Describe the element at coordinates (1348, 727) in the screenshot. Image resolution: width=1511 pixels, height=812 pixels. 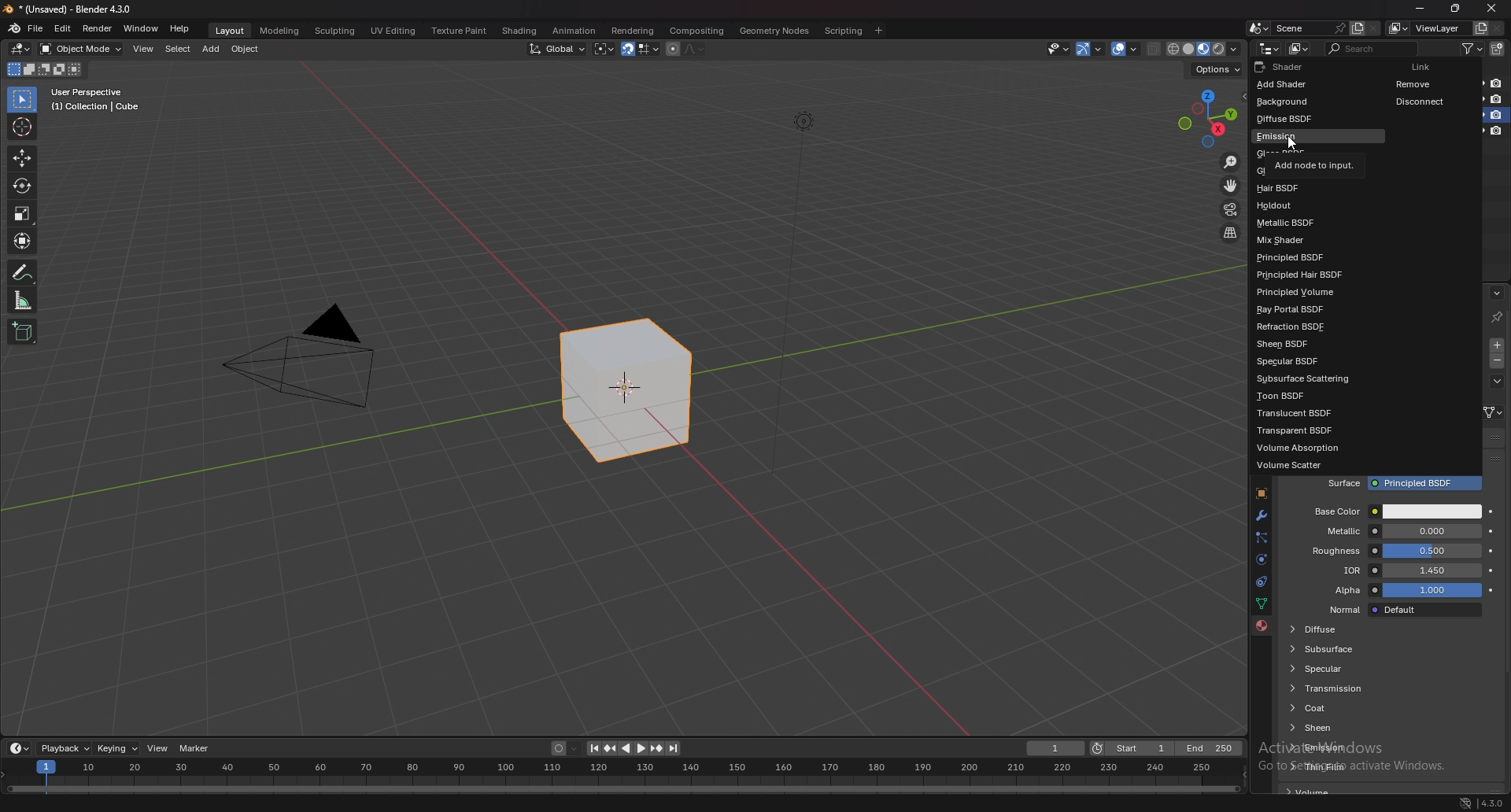
I see `sheen` at that location.